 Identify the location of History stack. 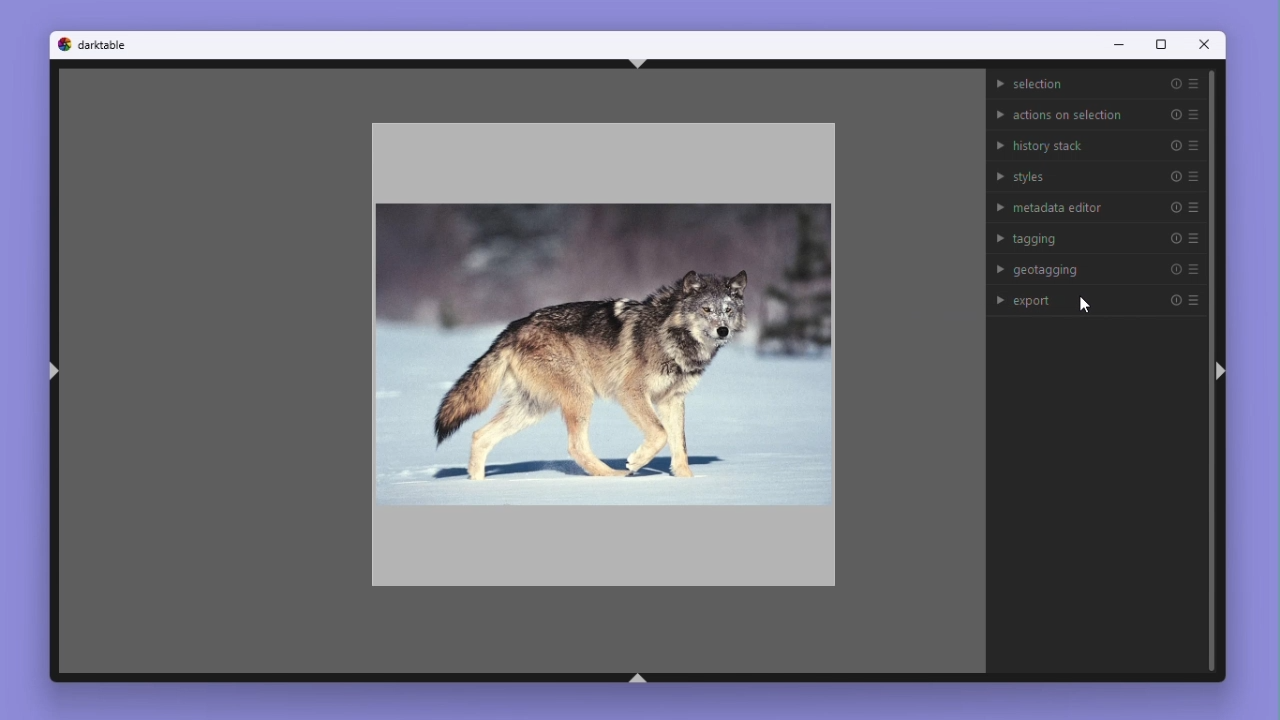
(1095, 144).